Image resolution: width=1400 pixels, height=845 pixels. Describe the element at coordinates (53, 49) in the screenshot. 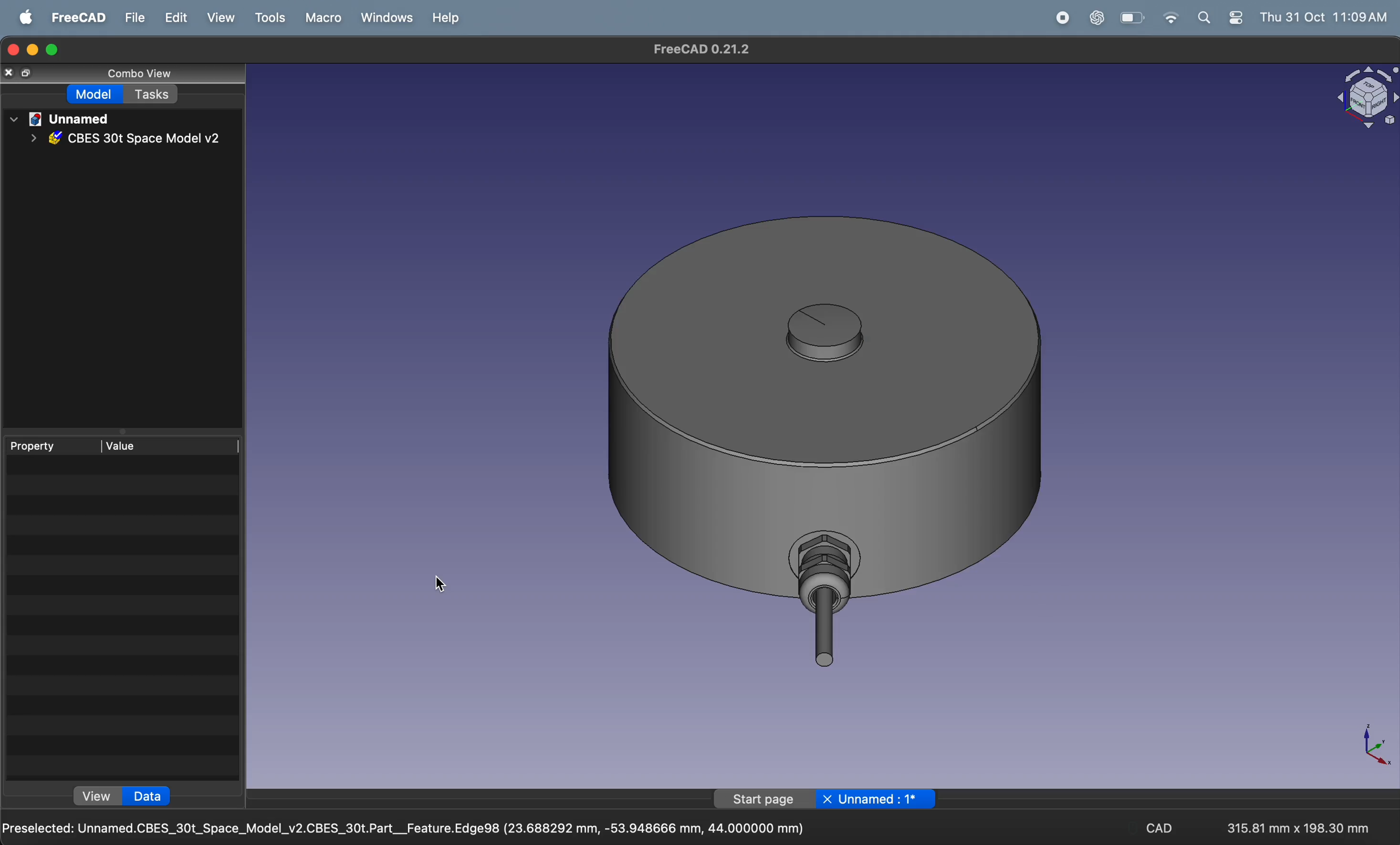

I see `maximize` at that location.